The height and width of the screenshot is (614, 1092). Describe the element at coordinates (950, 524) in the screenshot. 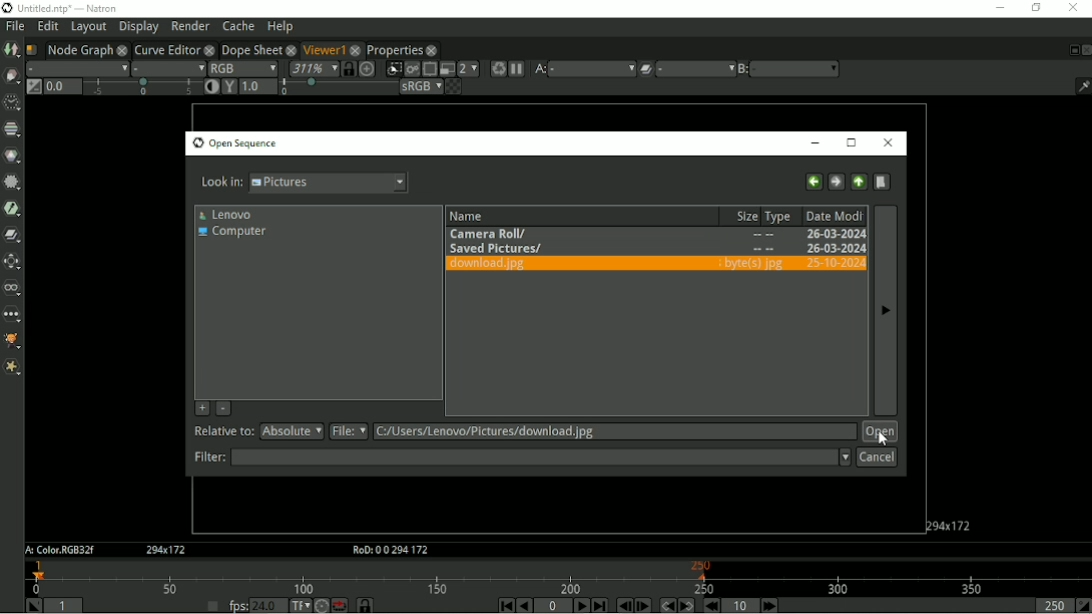

I see `Aspect` at that location.